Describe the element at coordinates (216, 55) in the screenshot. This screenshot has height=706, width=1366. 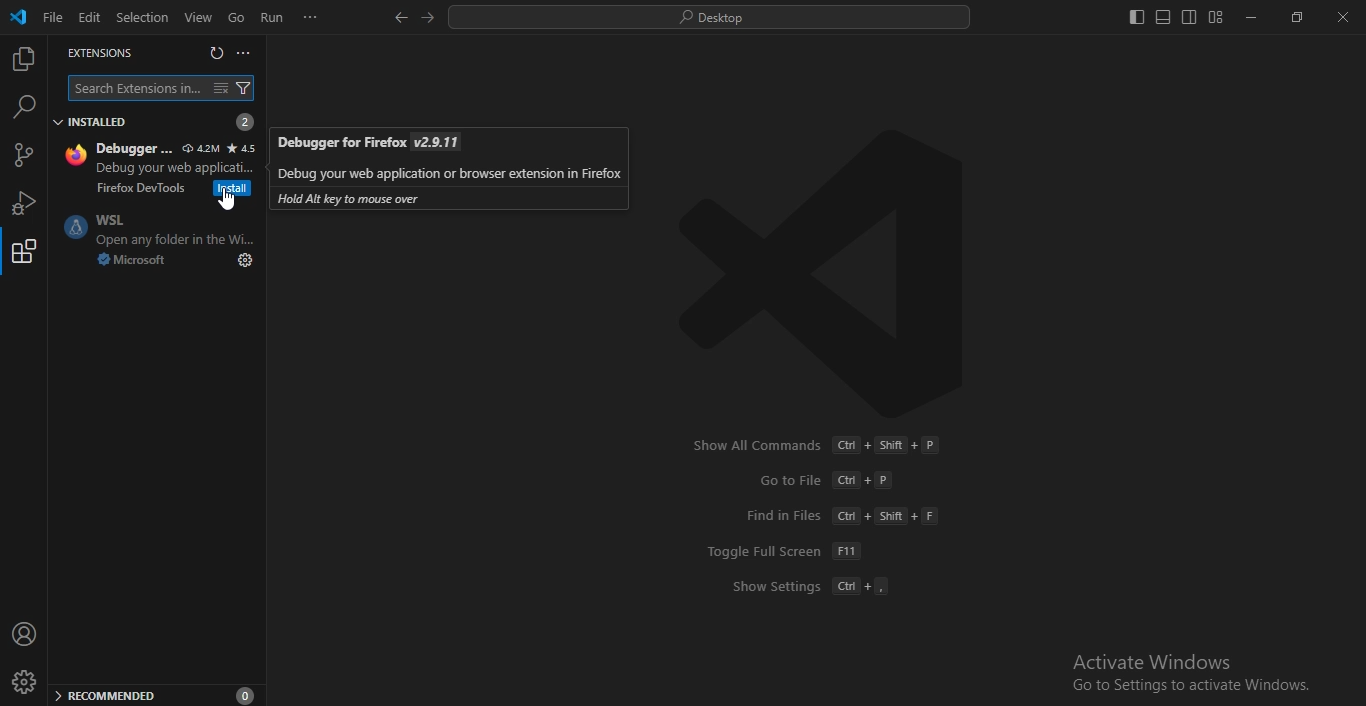
I see `refresh` at that location.